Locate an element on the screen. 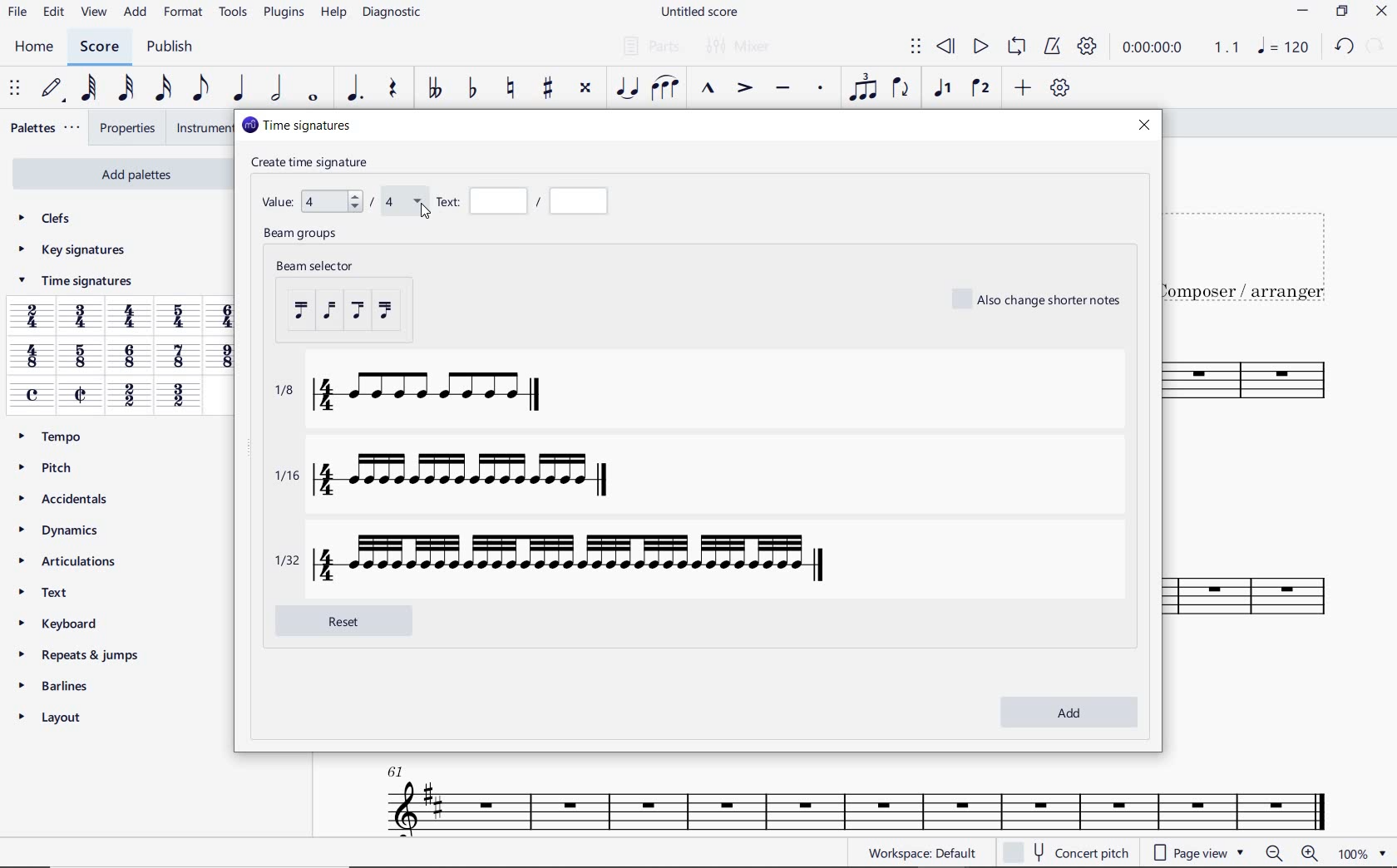 The image size is (1397, 868). HELP is located at coordinates (333, 14).